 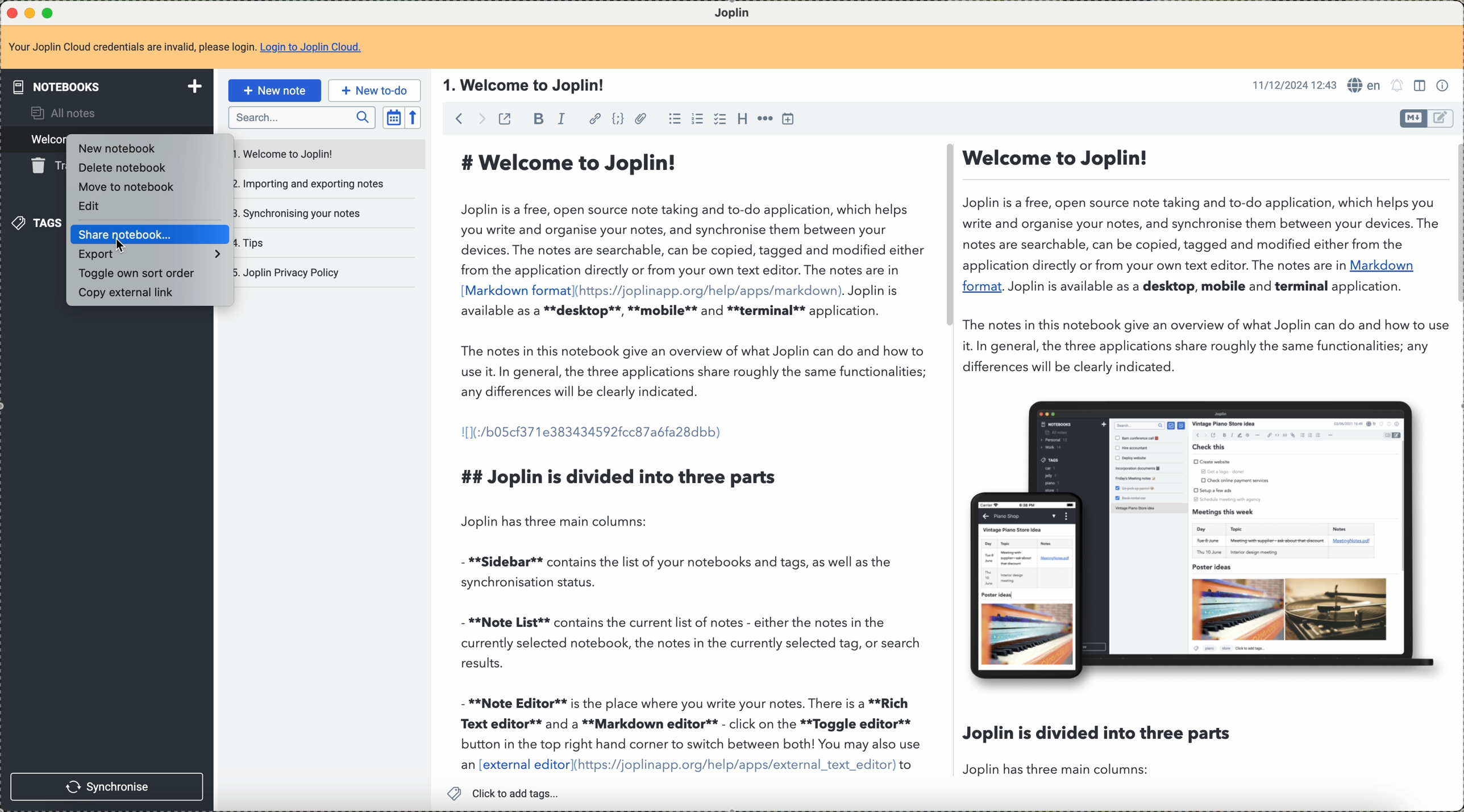 What do you see at coordinates (301, 118) in the screenshot?
I see `search bar` at bounding box center [301, 118].